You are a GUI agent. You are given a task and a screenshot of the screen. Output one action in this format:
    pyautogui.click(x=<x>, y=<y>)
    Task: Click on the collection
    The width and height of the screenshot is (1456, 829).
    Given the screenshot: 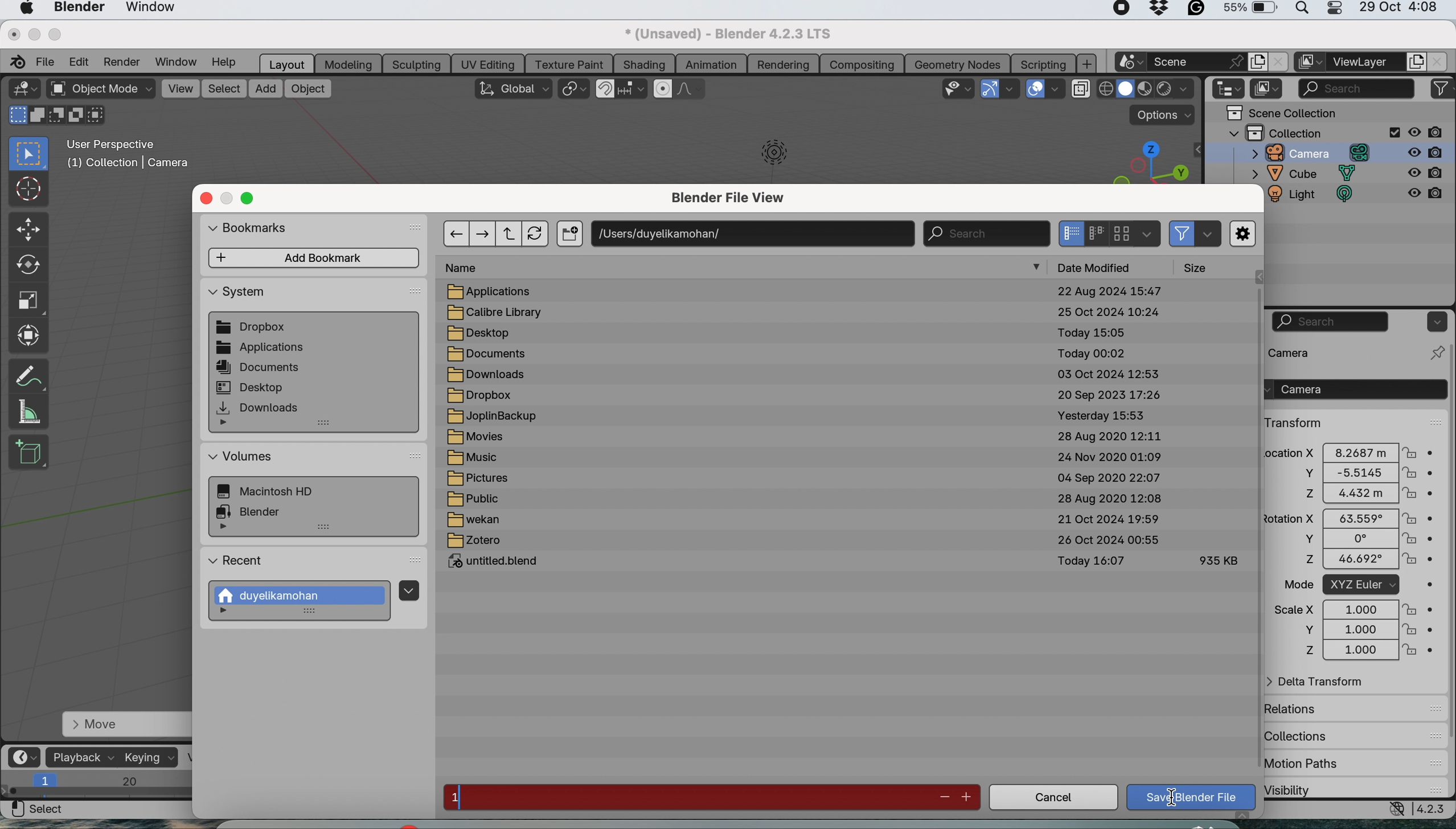 What is the action you would take?
    pyautogui.click(x=1314, y=132)
    